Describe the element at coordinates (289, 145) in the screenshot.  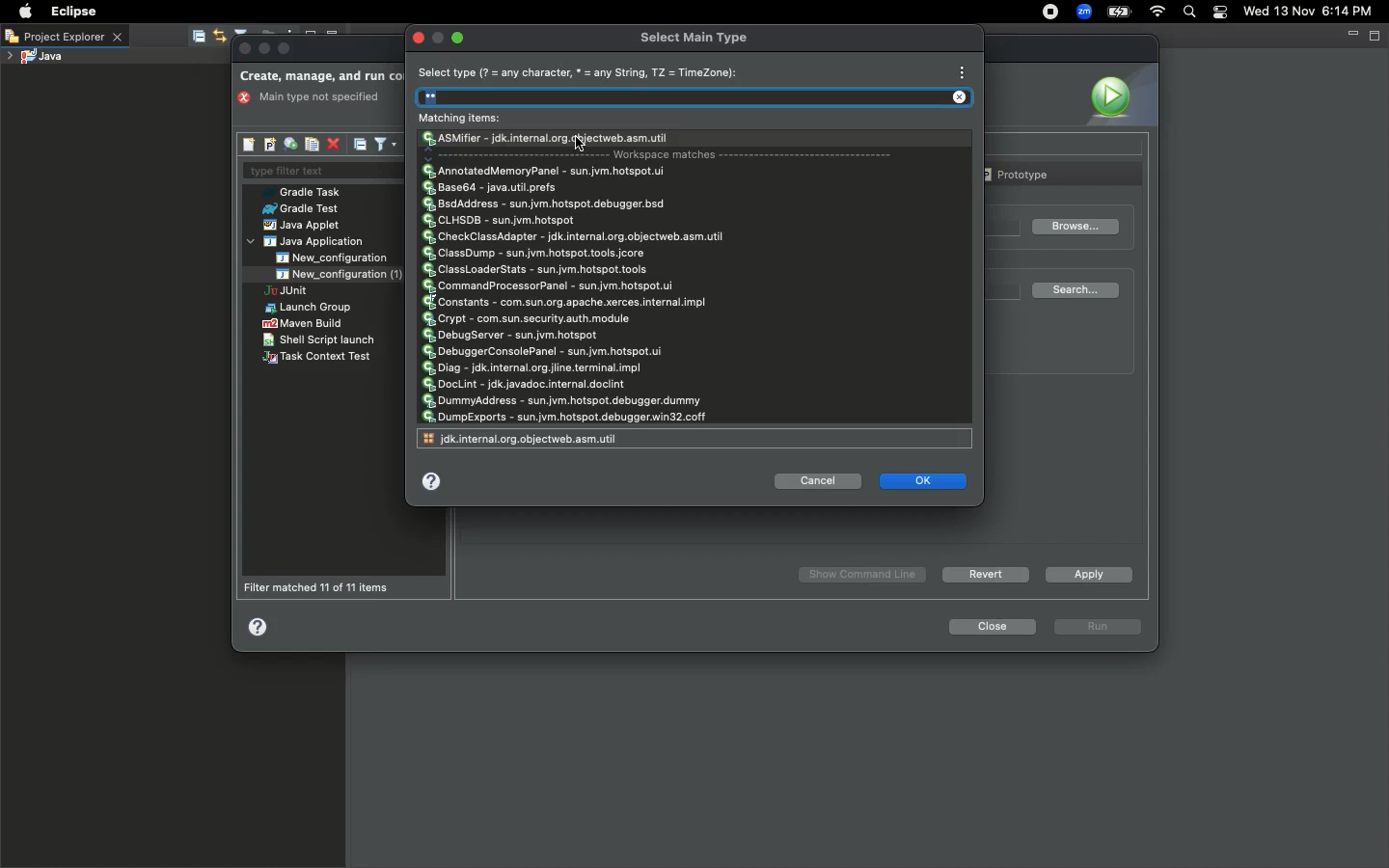
I see `Export launch configurations` at that location.